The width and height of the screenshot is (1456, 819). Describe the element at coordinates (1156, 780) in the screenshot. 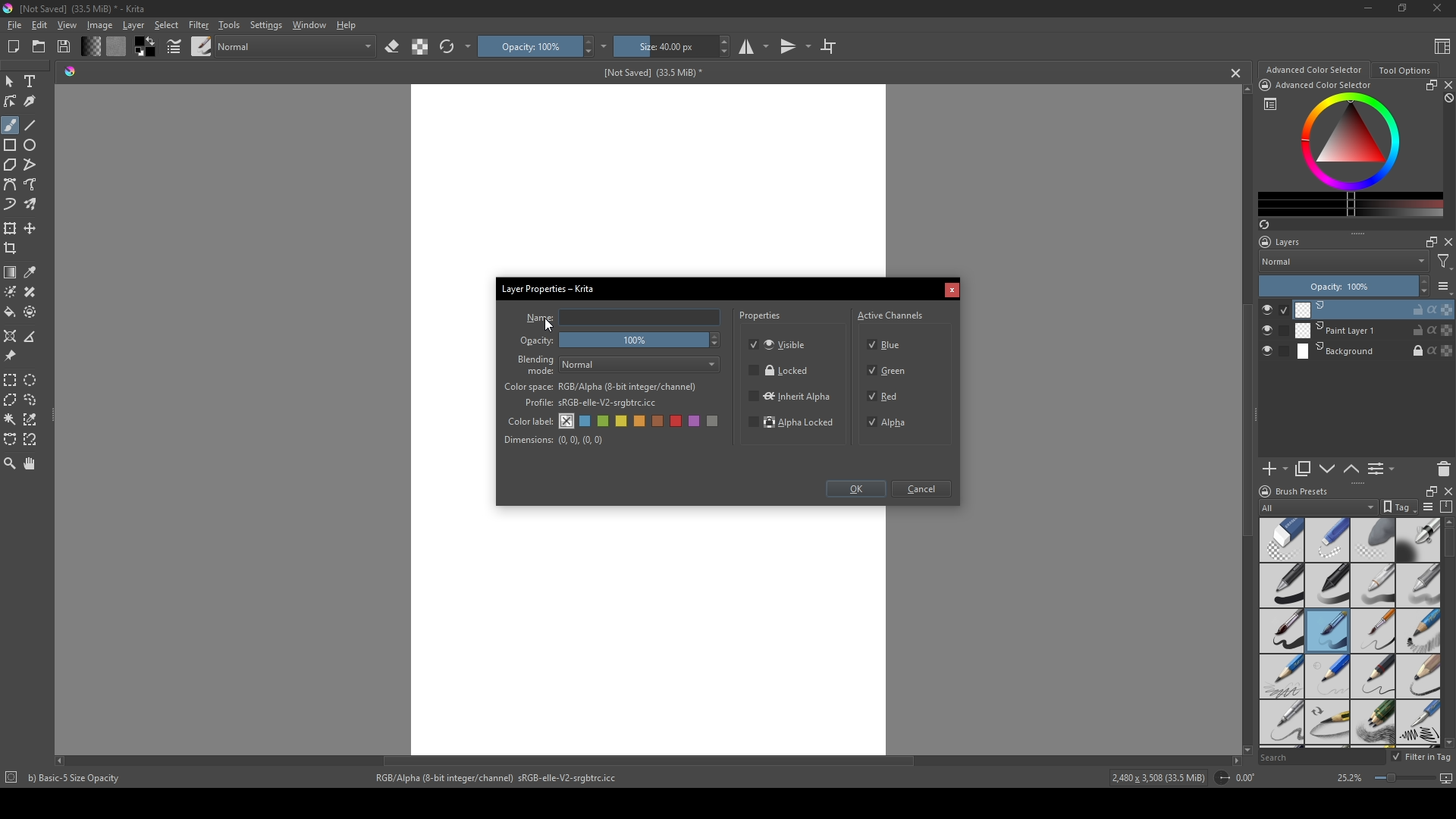

I see `2,480 x 3,508 (33.5 MiB)` at that location.